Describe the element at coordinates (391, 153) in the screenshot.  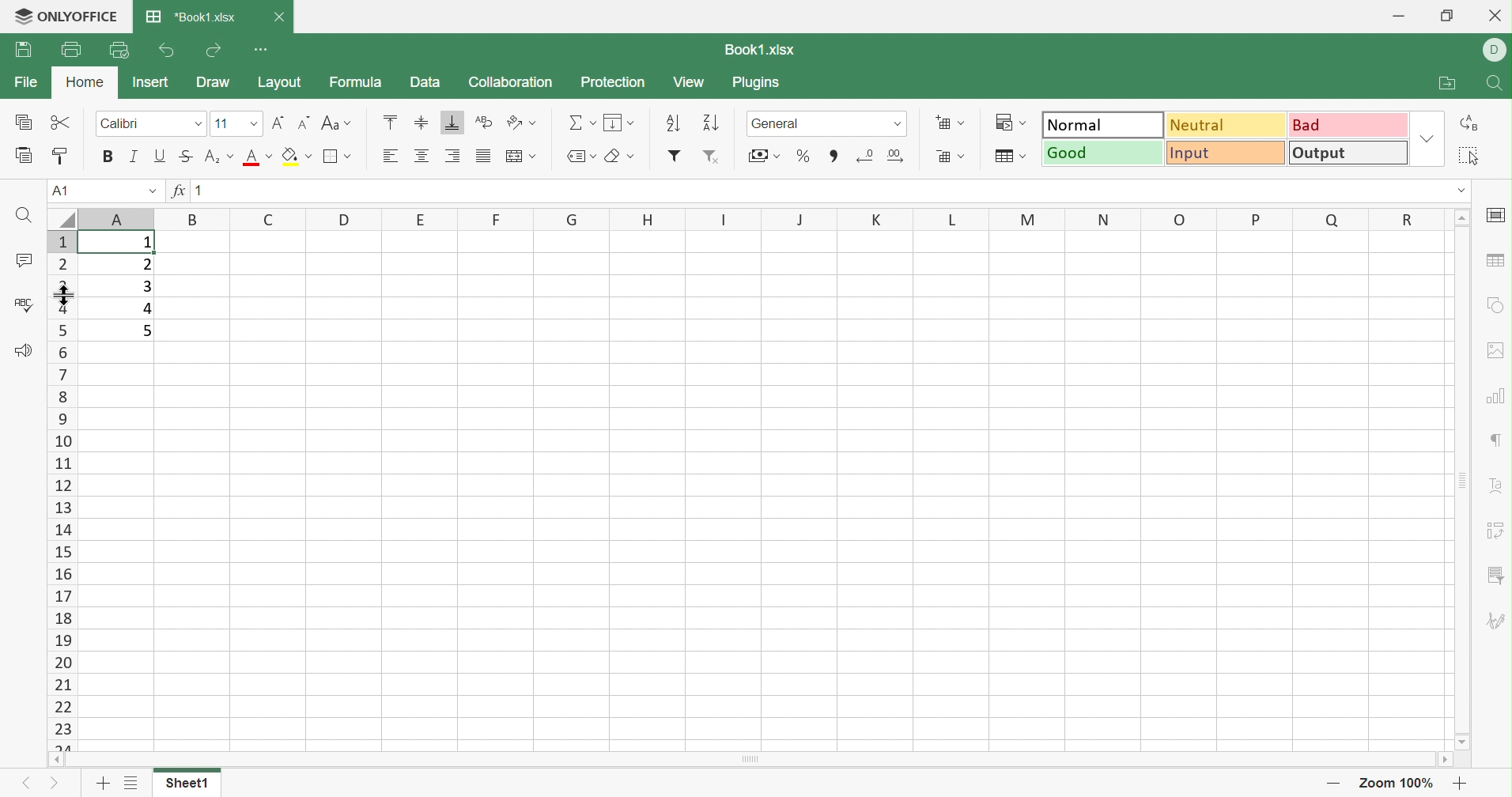
I see `Align Left` at that location.